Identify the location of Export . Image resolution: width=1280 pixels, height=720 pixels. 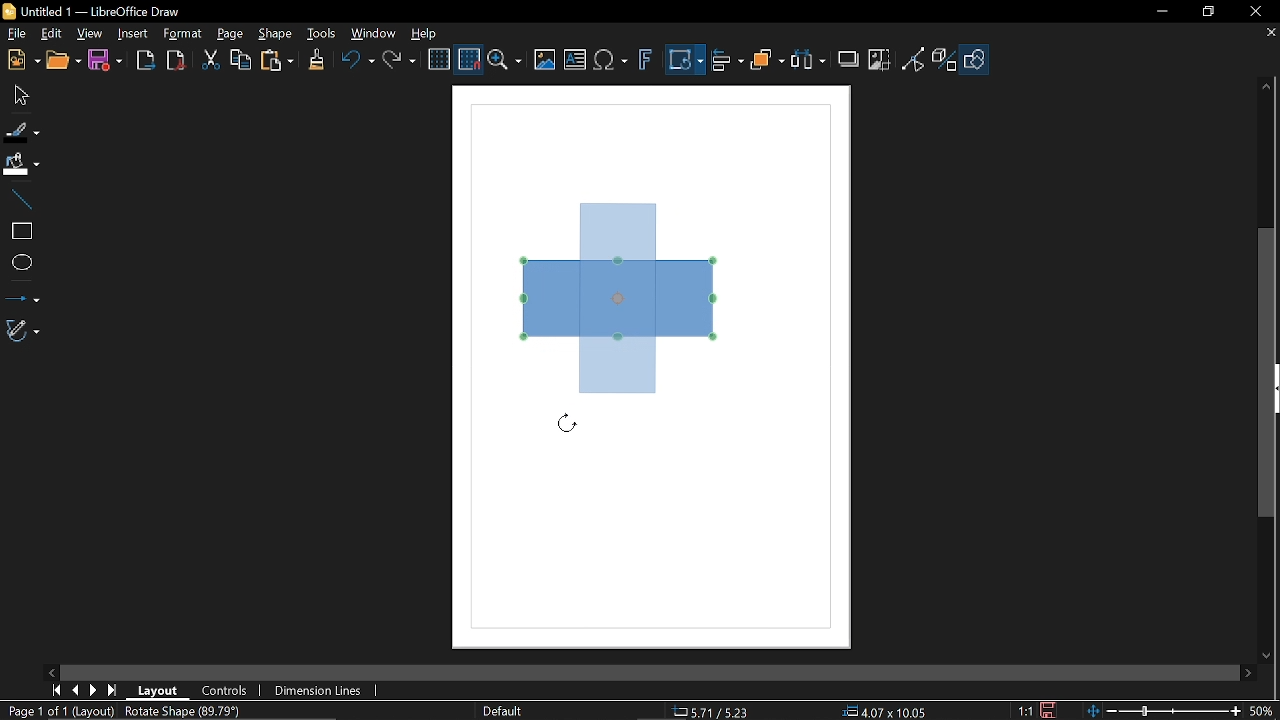
(145, 61).